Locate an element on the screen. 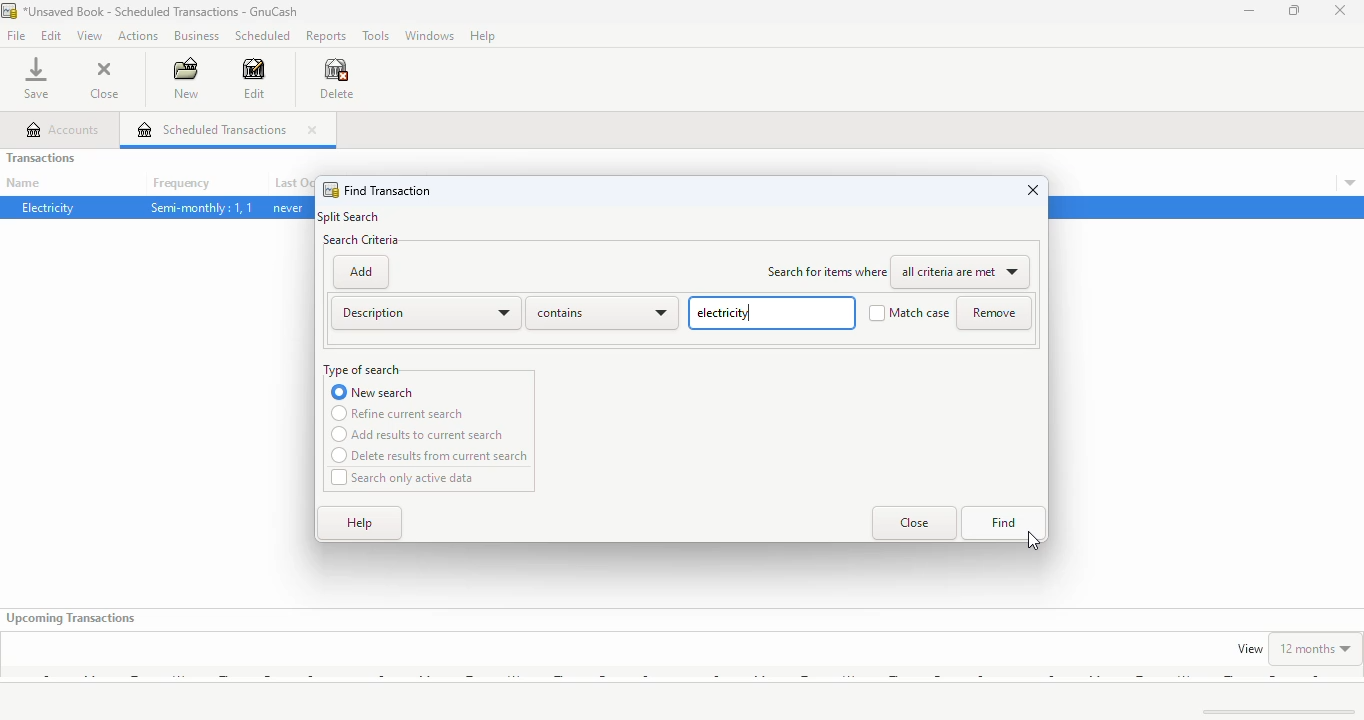 The width and height of the screenshot is (1364, 720). windows is located at coordinates (431, 35).